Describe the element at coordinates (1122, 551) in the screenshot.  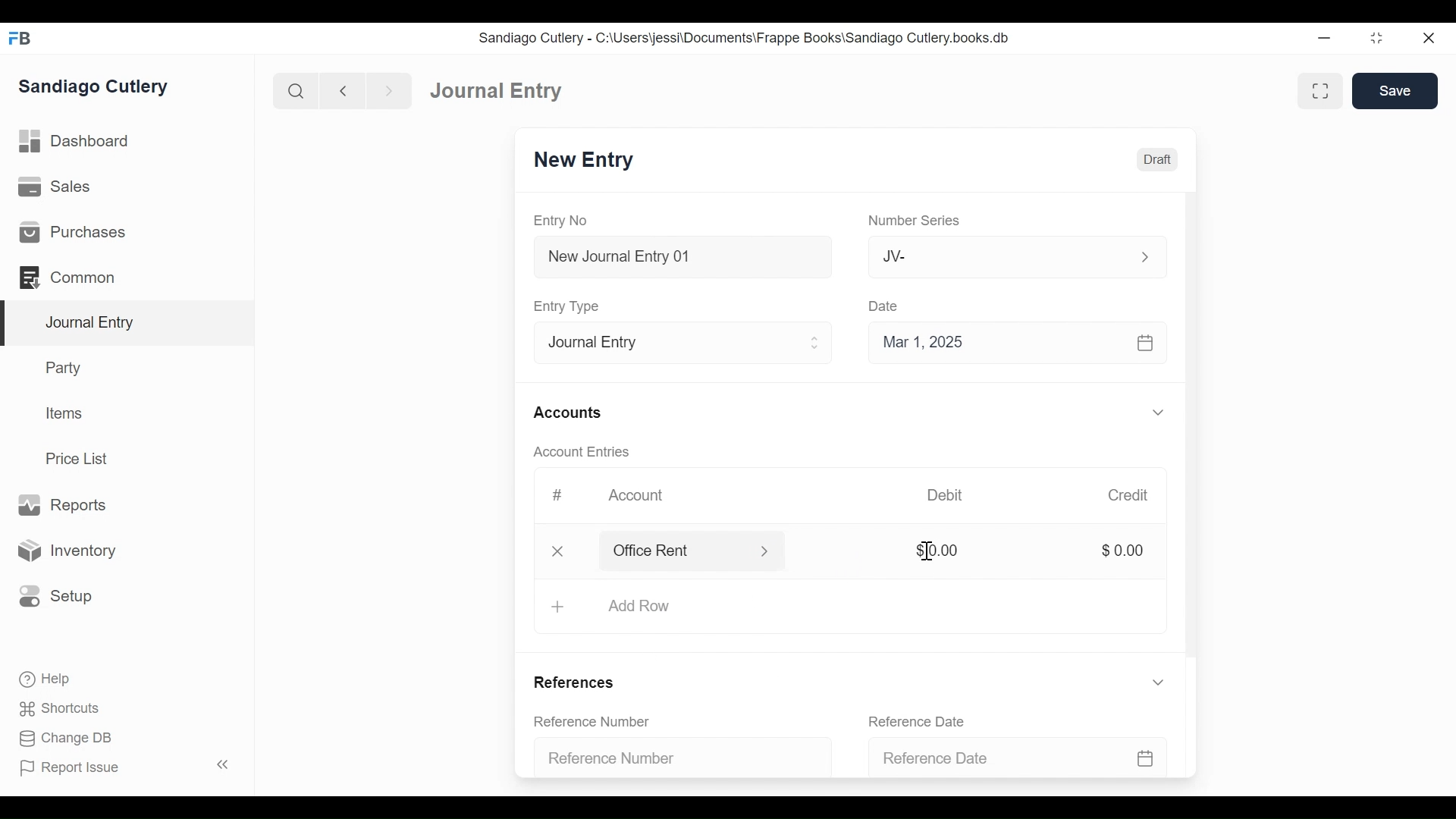
I see `$0.00` at that location.